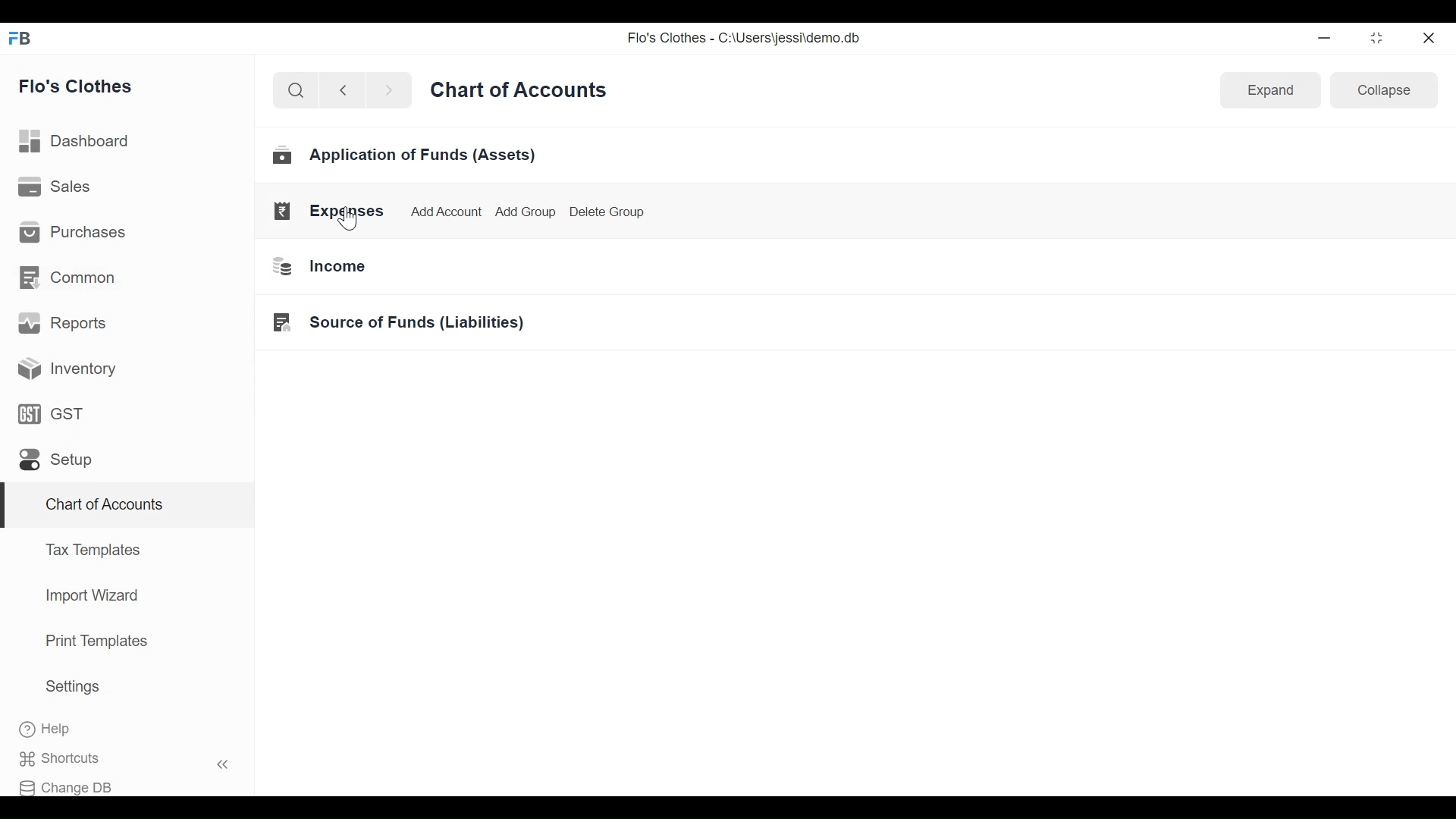  Describe the element at coordinates (1327, 38) in the screenshot. I see `minimize` at that location.